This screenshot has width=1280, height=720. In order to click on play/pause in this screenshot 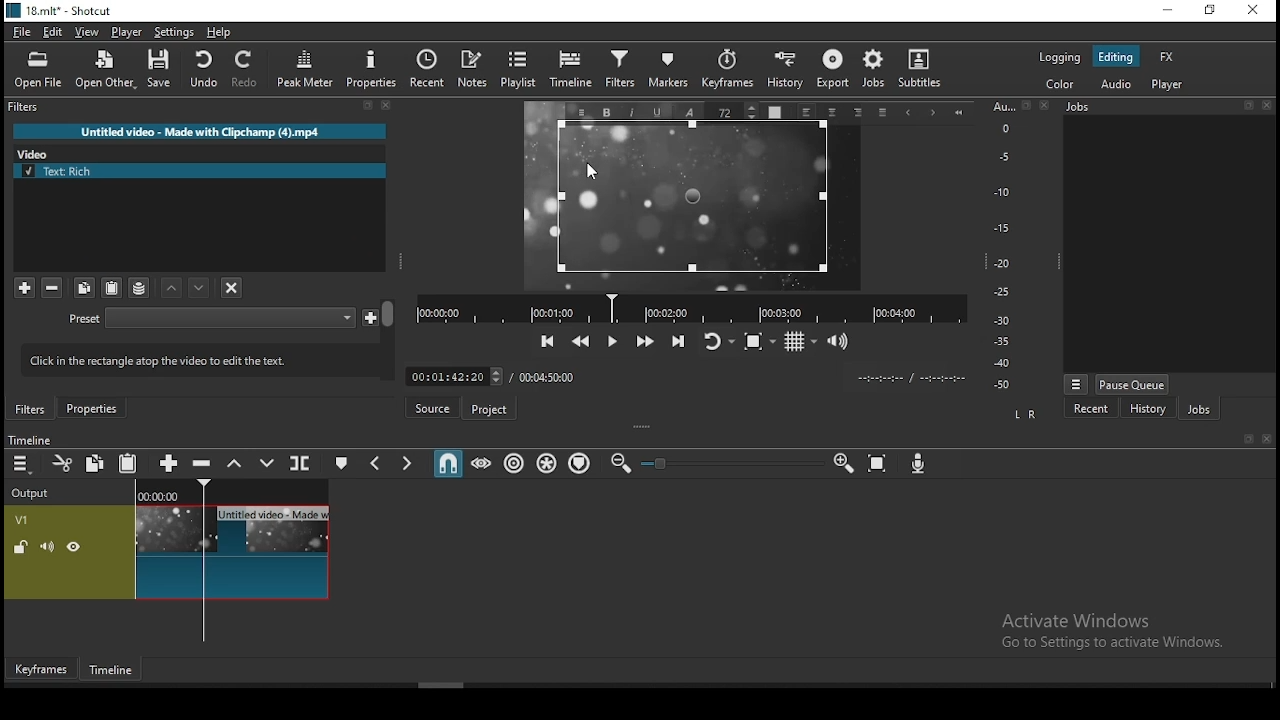, I will do `click(614, 342)`.